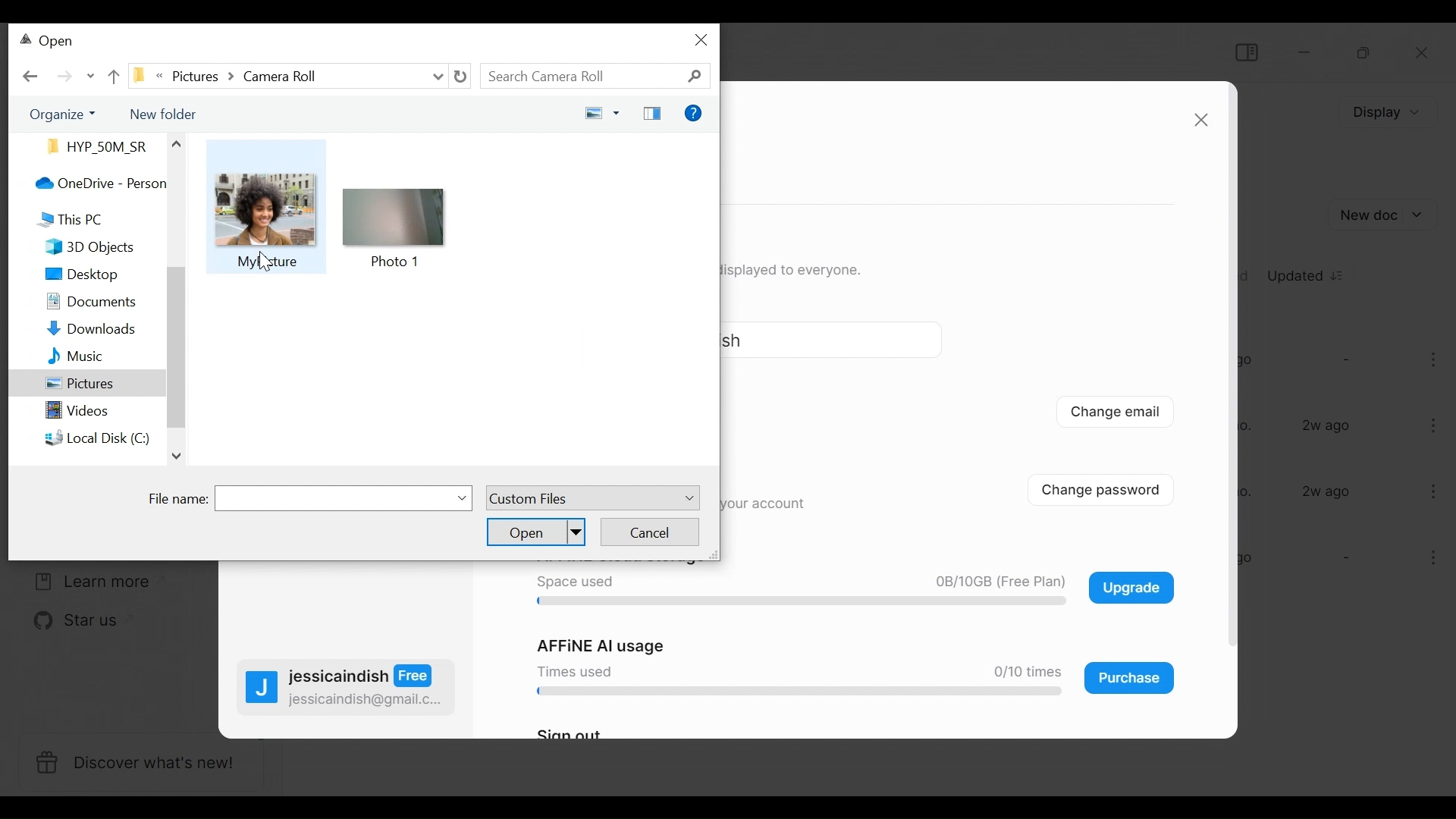 Image resolution: width=1456 pixels, height=819 pixels. Describe the element at coordinates (180, 457) in the screenshot. I see `down` at that location.